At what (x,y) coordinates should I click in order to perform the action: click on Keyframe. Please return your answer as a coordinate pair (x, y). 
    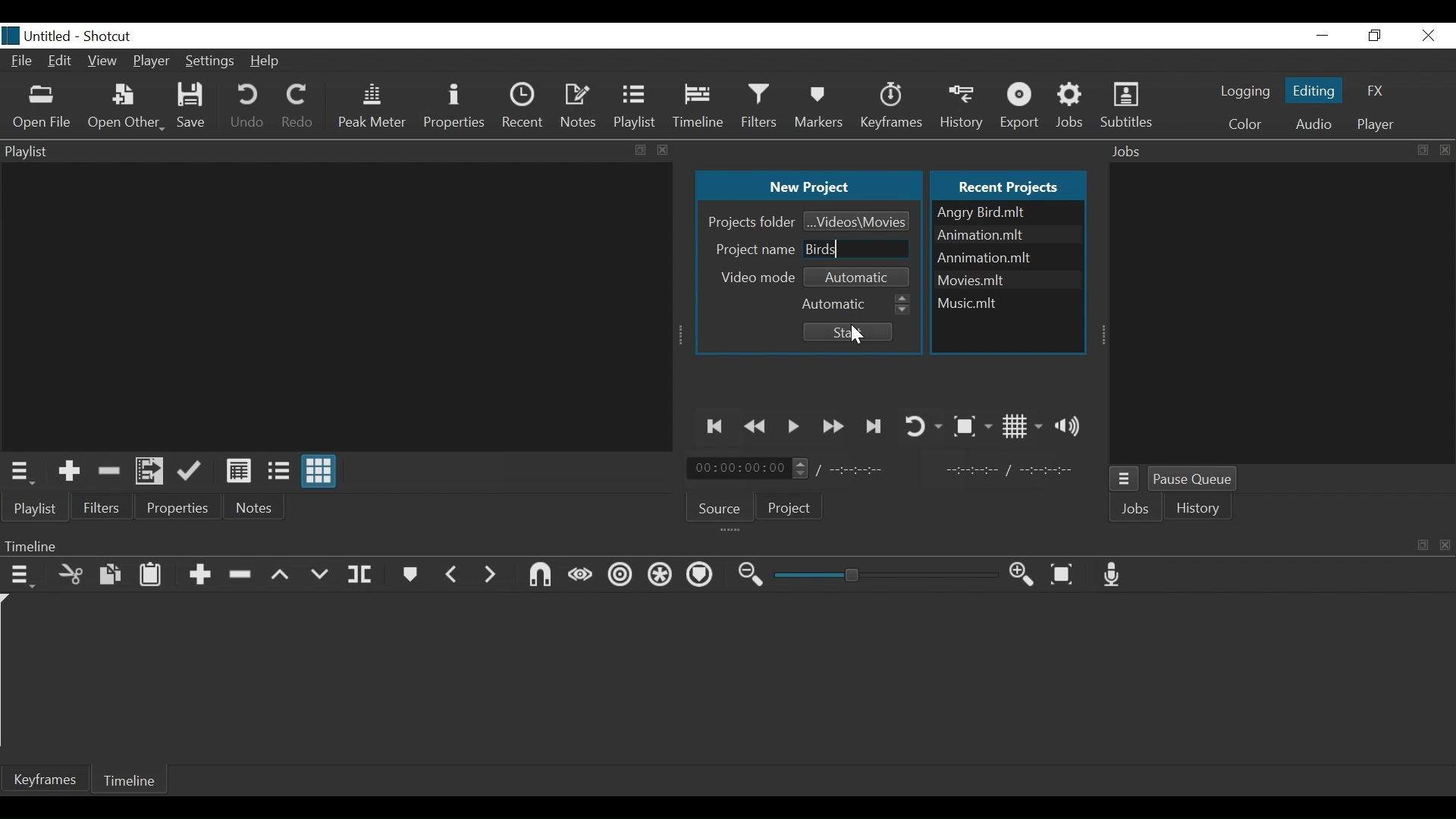
    Looking at the image, I should click on (46, 779).